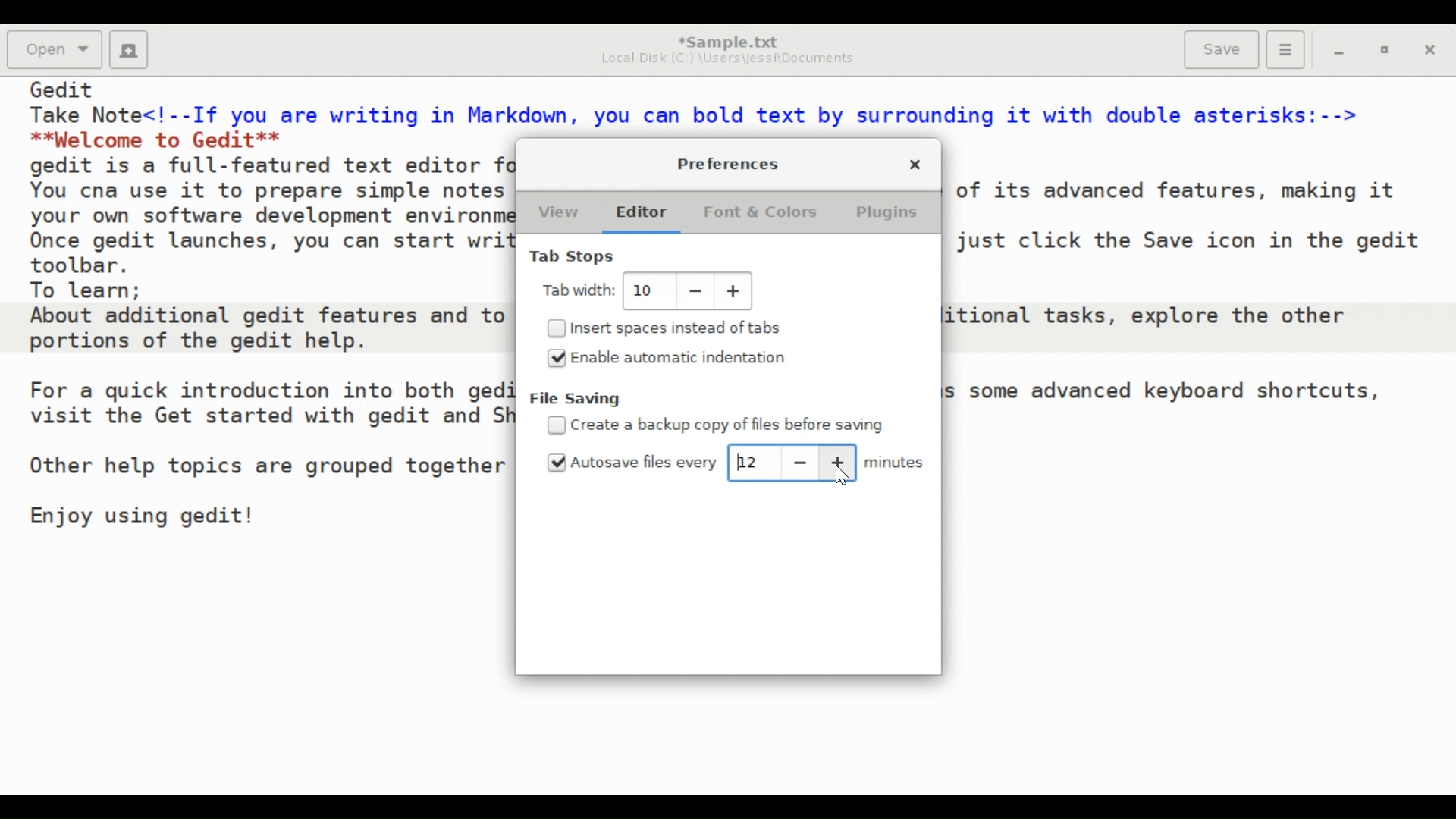  I want to click on Editor, so click(640, 214).